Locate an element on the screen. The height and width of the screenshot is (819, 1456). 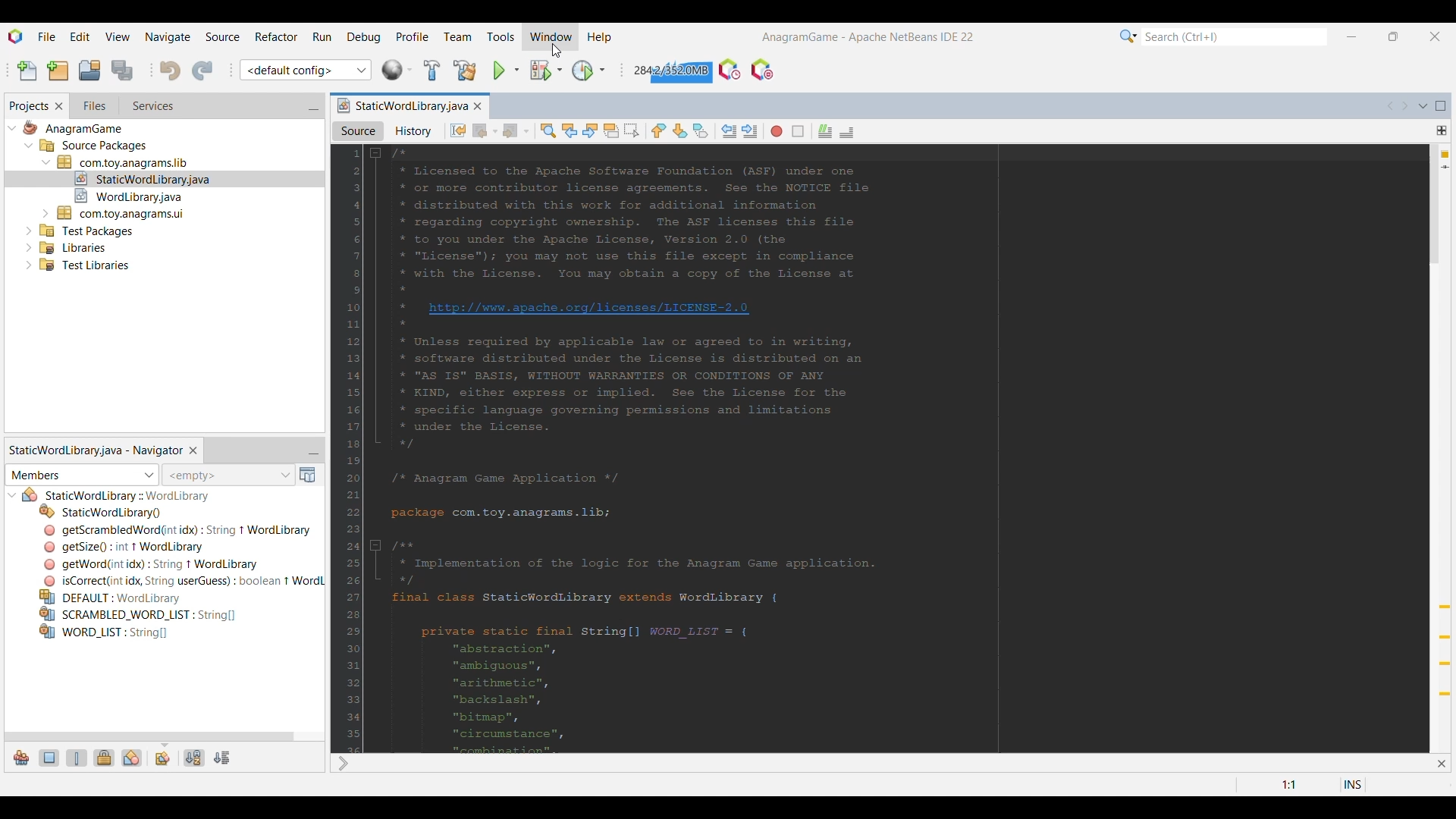
Back options is located at coordinates (494, 132).